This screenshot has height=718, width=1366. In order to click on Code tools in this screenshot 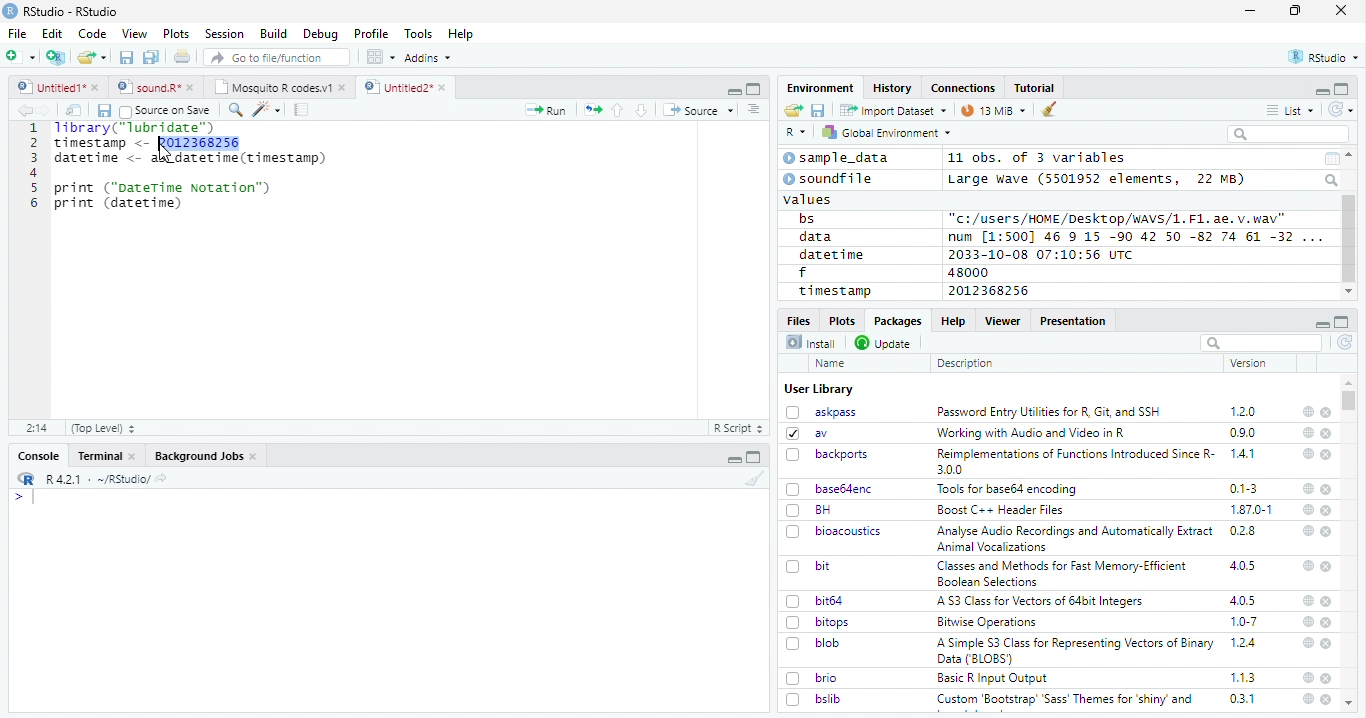, I will do `click(265, 109)`.